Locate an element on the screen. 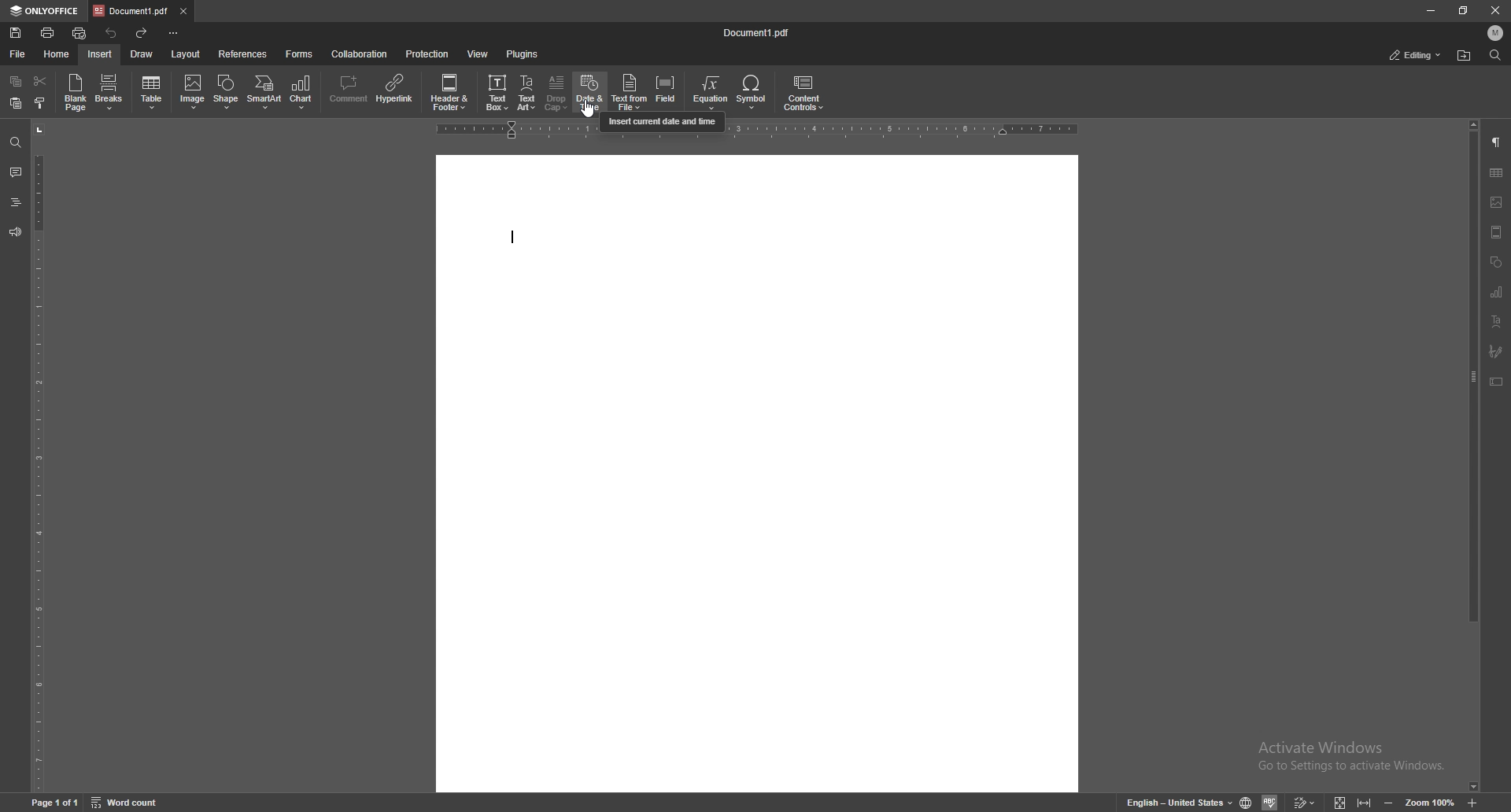 The height and width of the screenshot is (812, 1511). undo is located at coordinates (115, 33).